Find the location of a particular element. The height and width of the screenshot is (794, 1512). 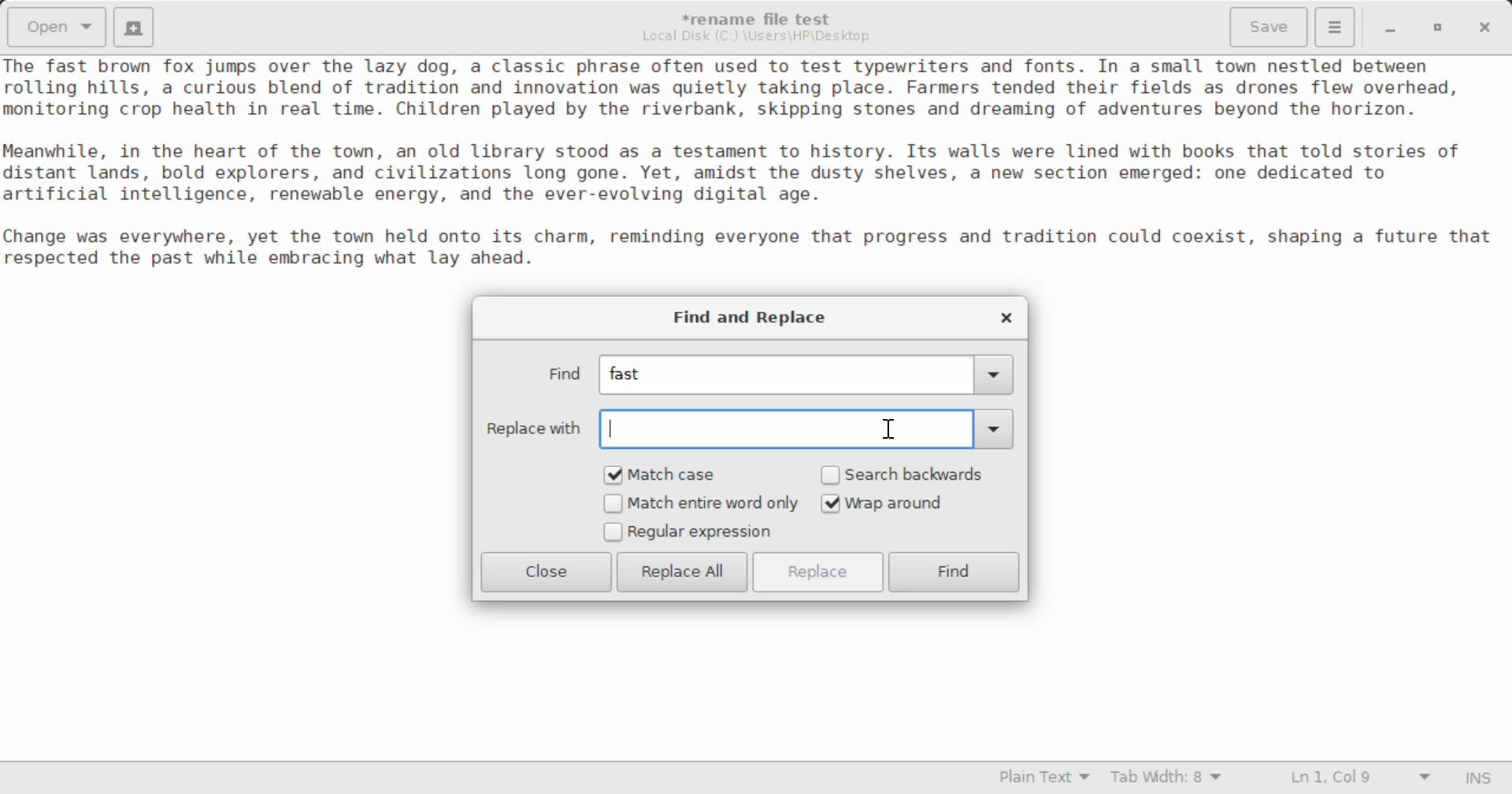

Tab Width 8 is located at coordinates (1166, 779).